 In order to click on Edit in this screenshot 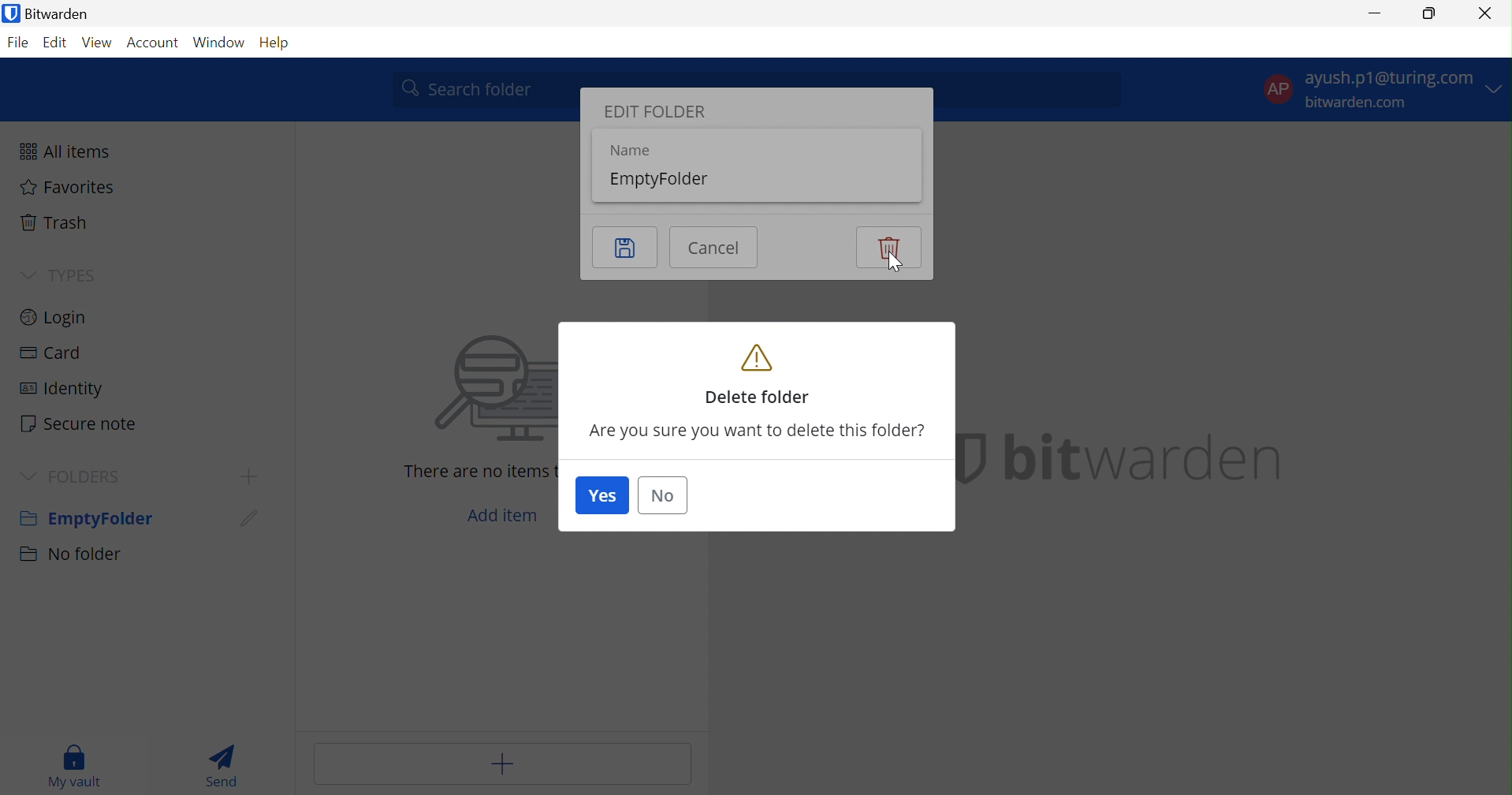, I will do `click(56, 43)`.